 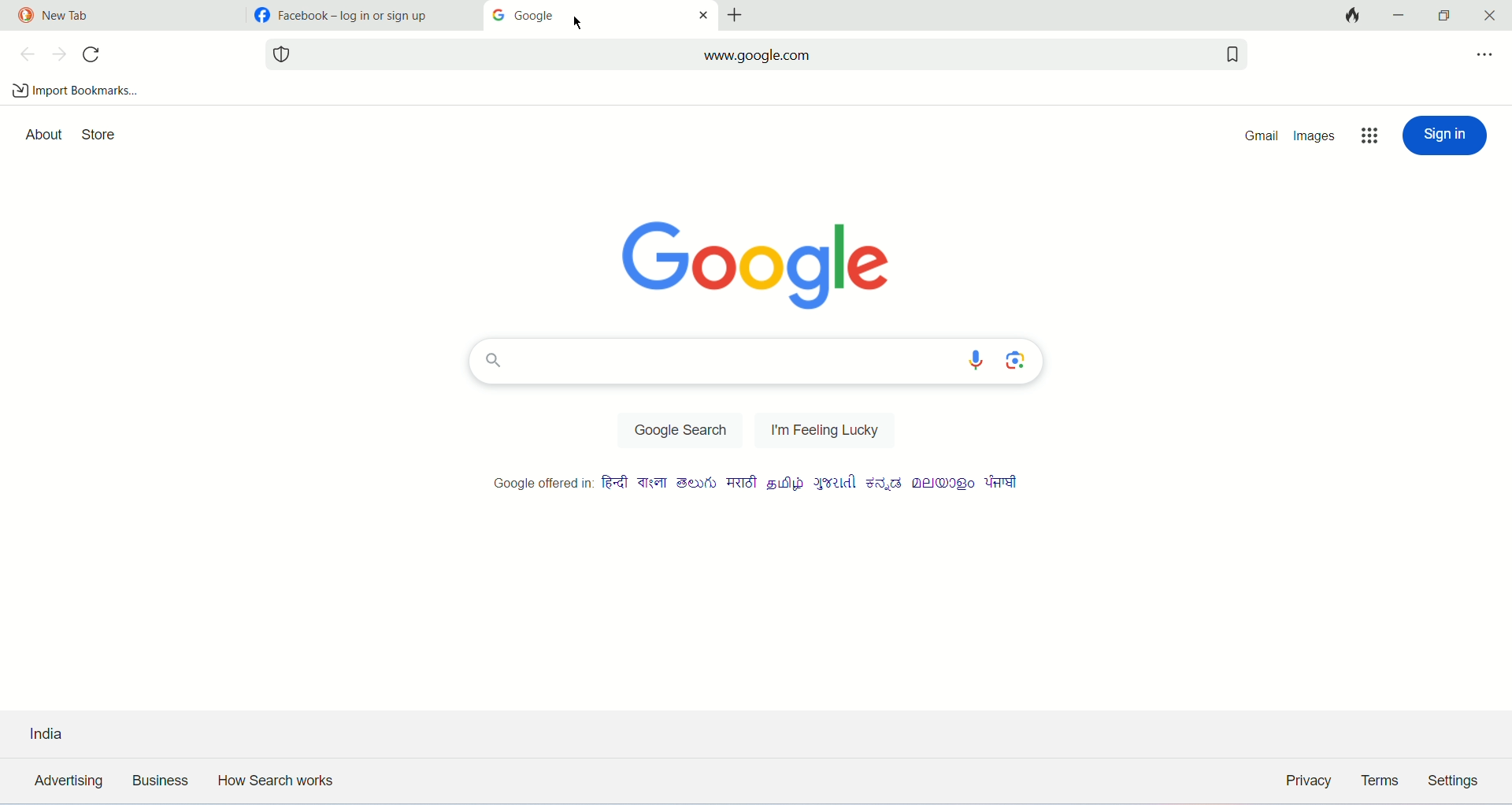 What do you see at coordinates (1487, 61) in the screenshot?
I see `more options` at bounding box center [1487, 61].